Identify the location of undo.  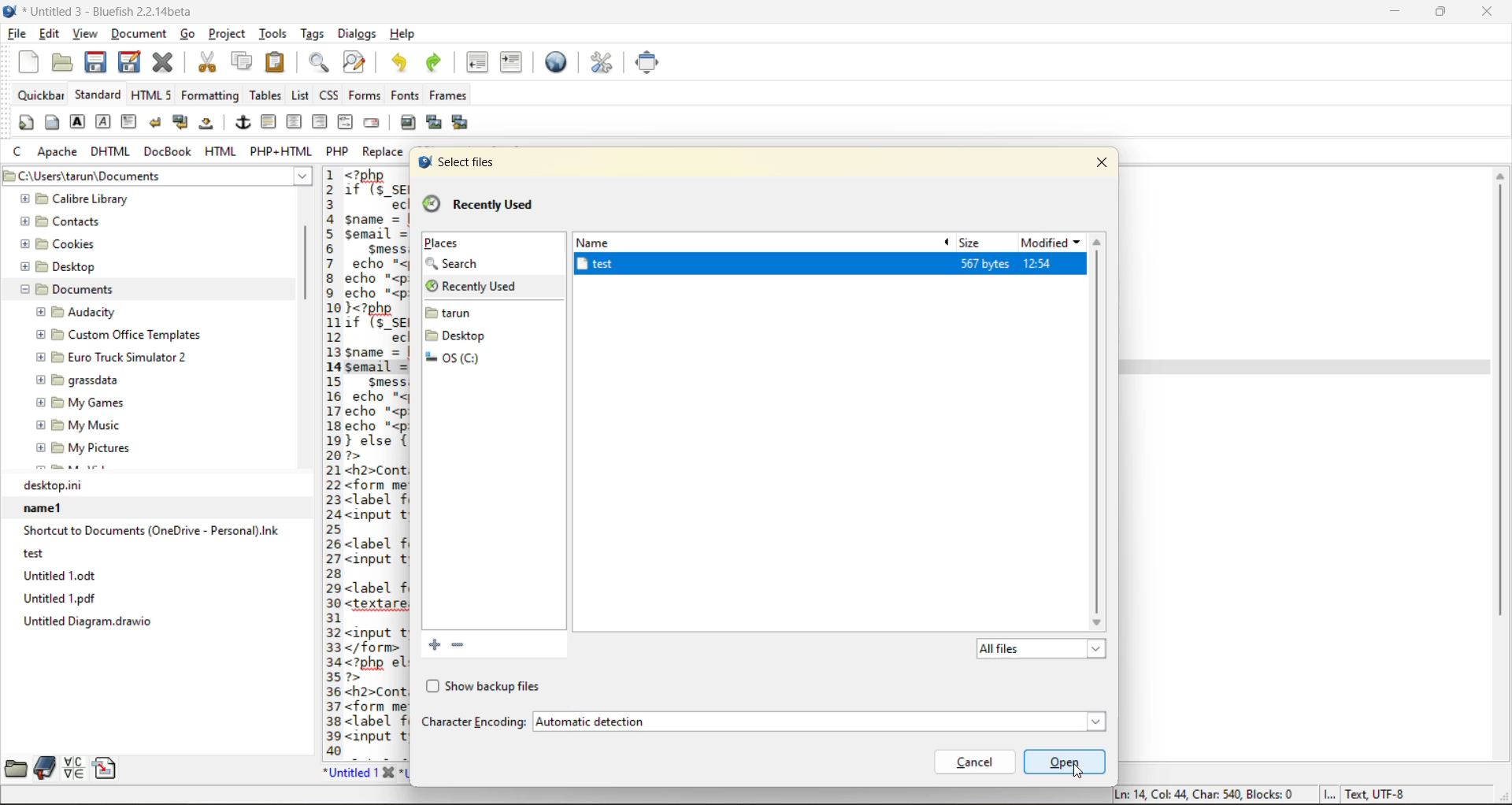
(398, 62).